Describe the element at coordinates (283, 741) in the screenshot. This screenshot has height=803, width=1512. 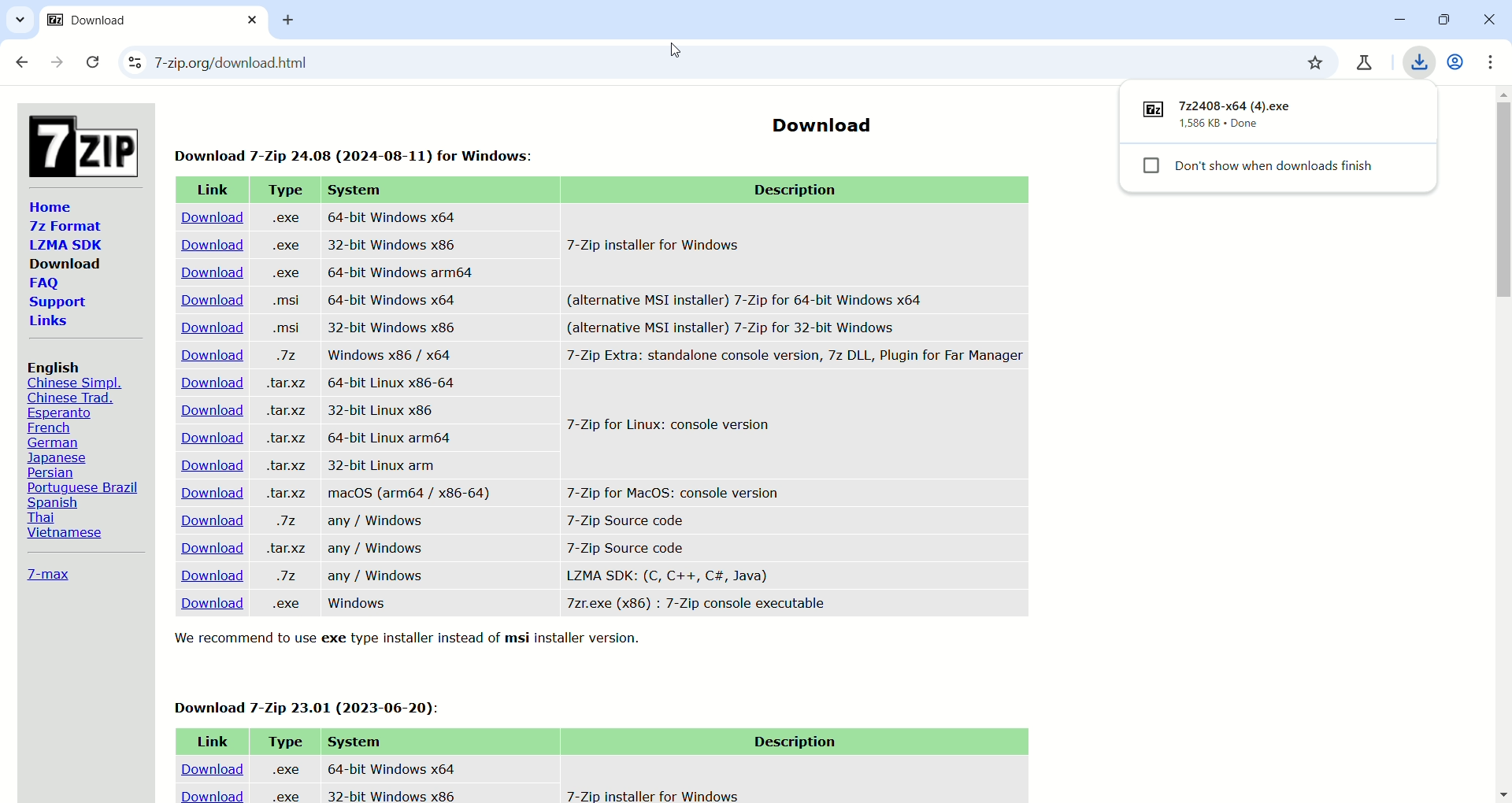
I see `Type` at that location.